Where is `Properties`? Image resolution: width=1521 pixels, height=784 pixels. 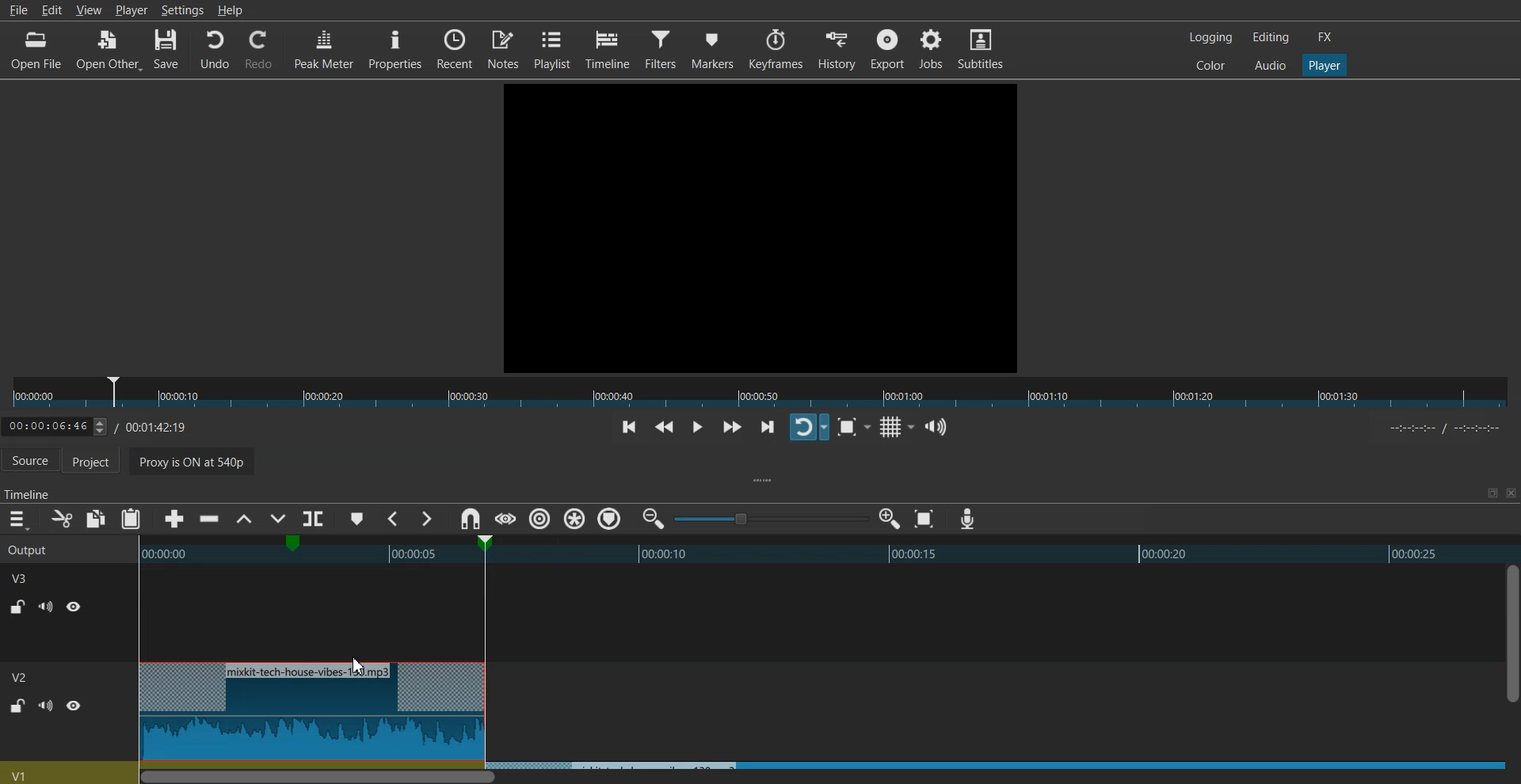 Properties is located at coordinates (395, 48).